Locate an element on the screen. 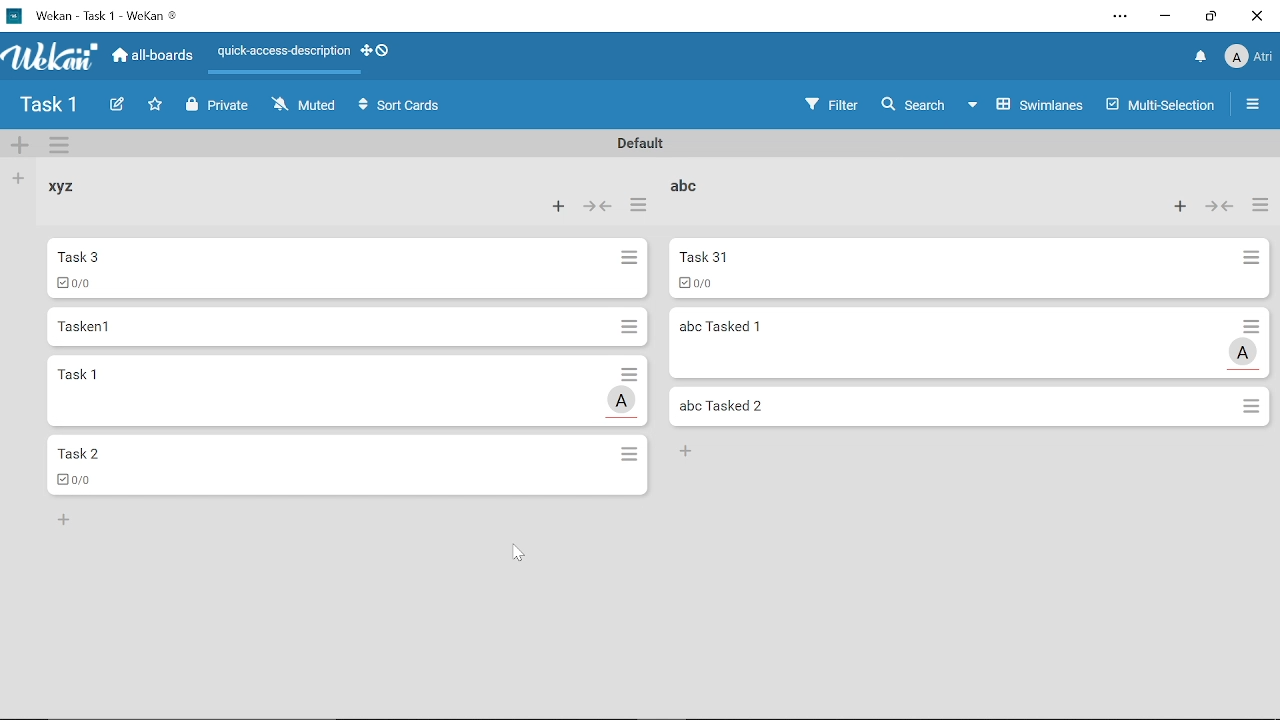  abc Tasked 2 is located at coordinates (966, 406).